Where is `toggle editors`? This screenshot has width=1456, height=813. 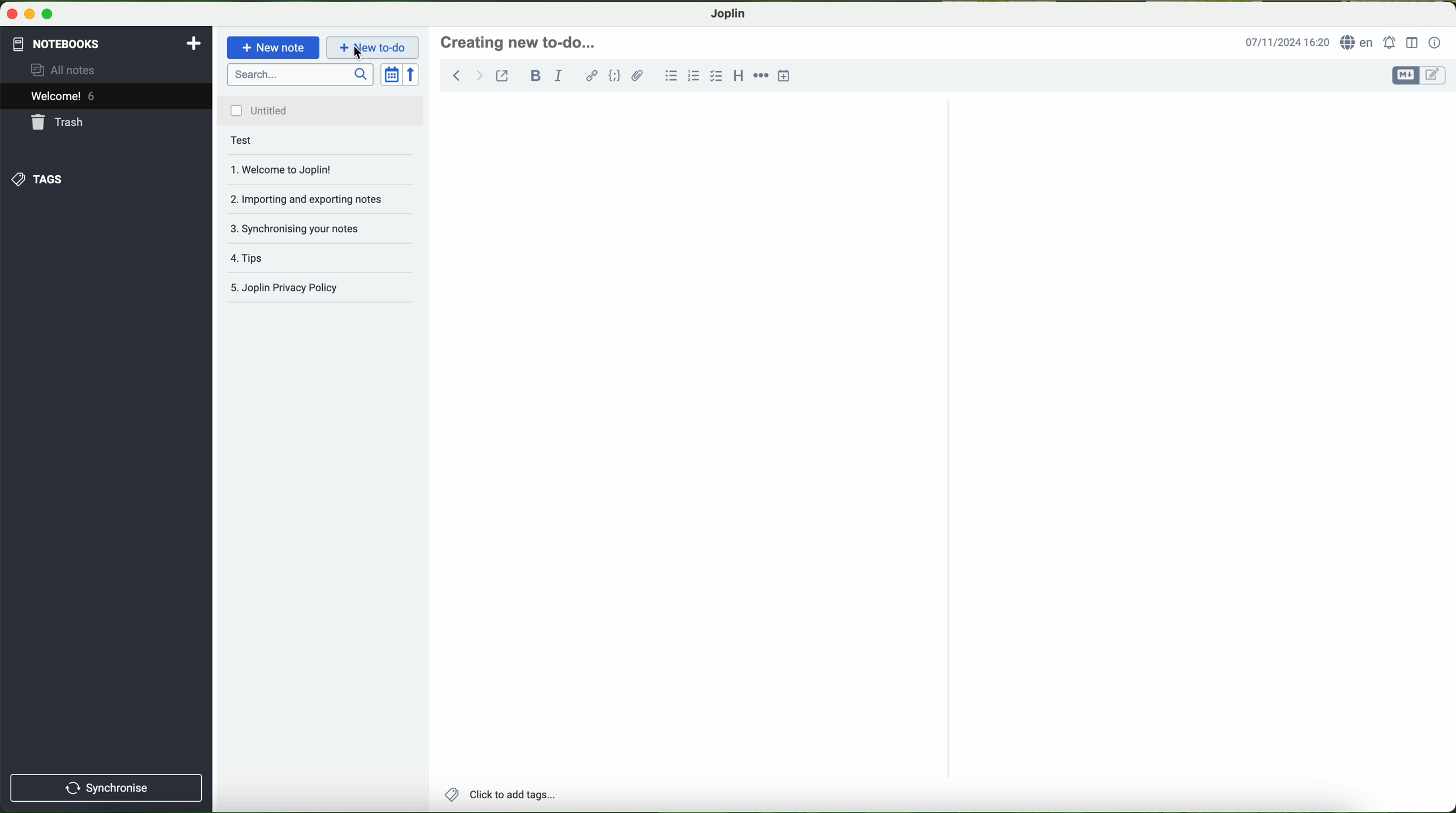 toggle editors is located at coordinates (1420, 76).